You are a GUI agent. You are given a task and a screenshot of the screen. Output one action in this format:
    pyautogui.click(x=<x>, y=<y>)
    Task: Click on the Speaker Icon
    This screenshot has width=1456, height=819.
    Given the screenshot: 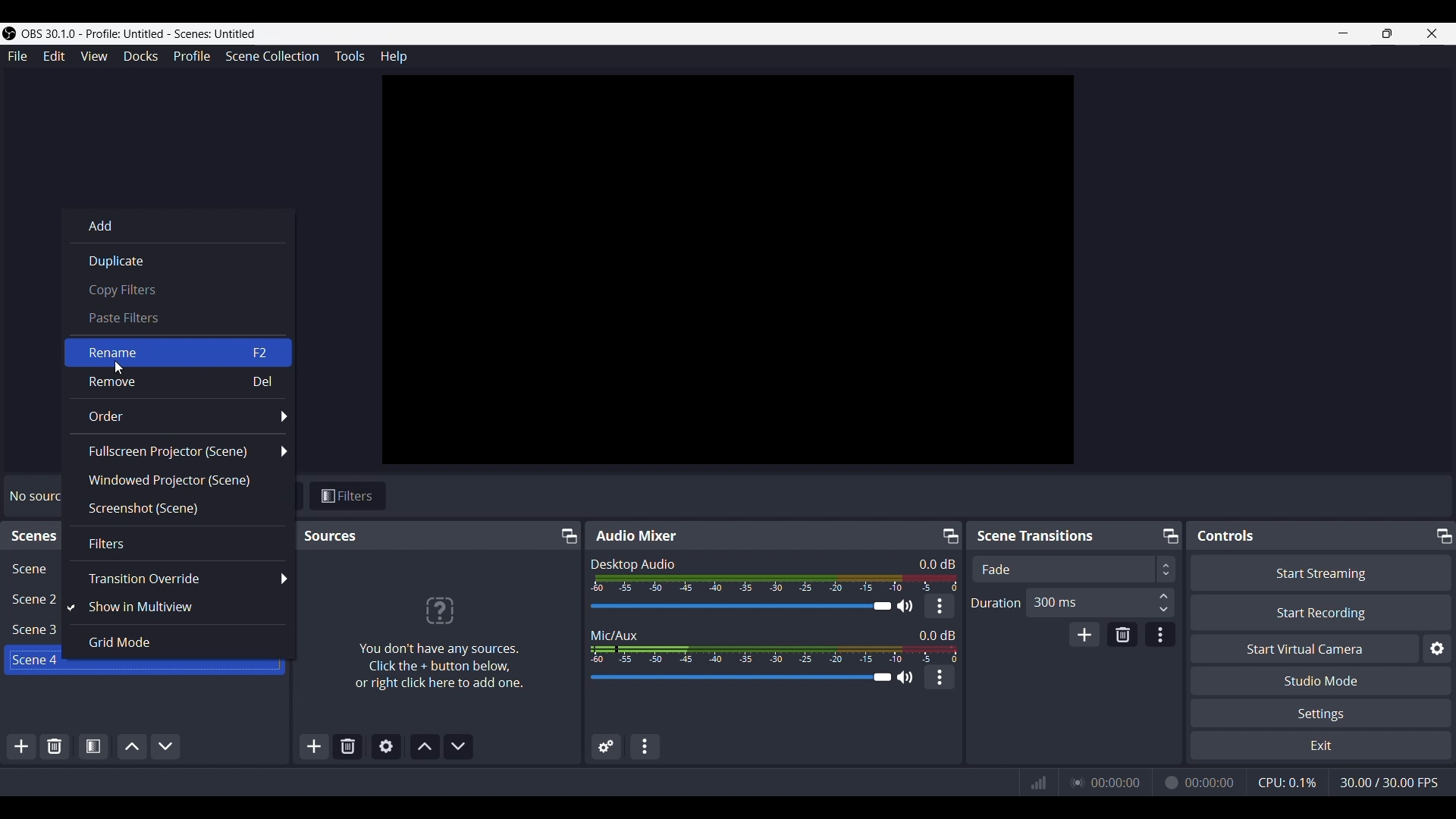 What is the action you would take?
    pyautogui.click(x=905, y=606)
    